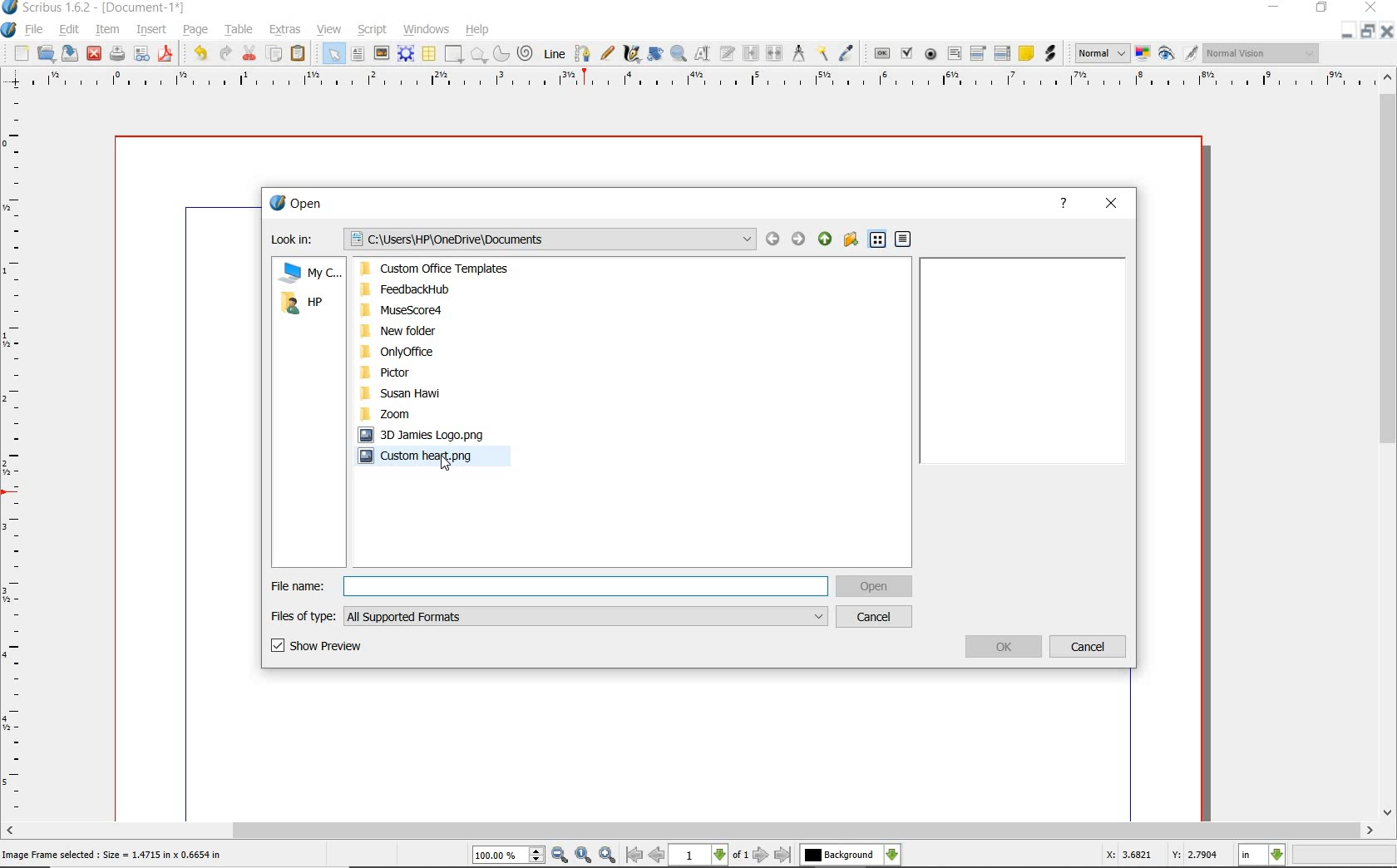 The height and width of the screenshot is (868, 1397). I want to click on ok, so click(1005, 646).